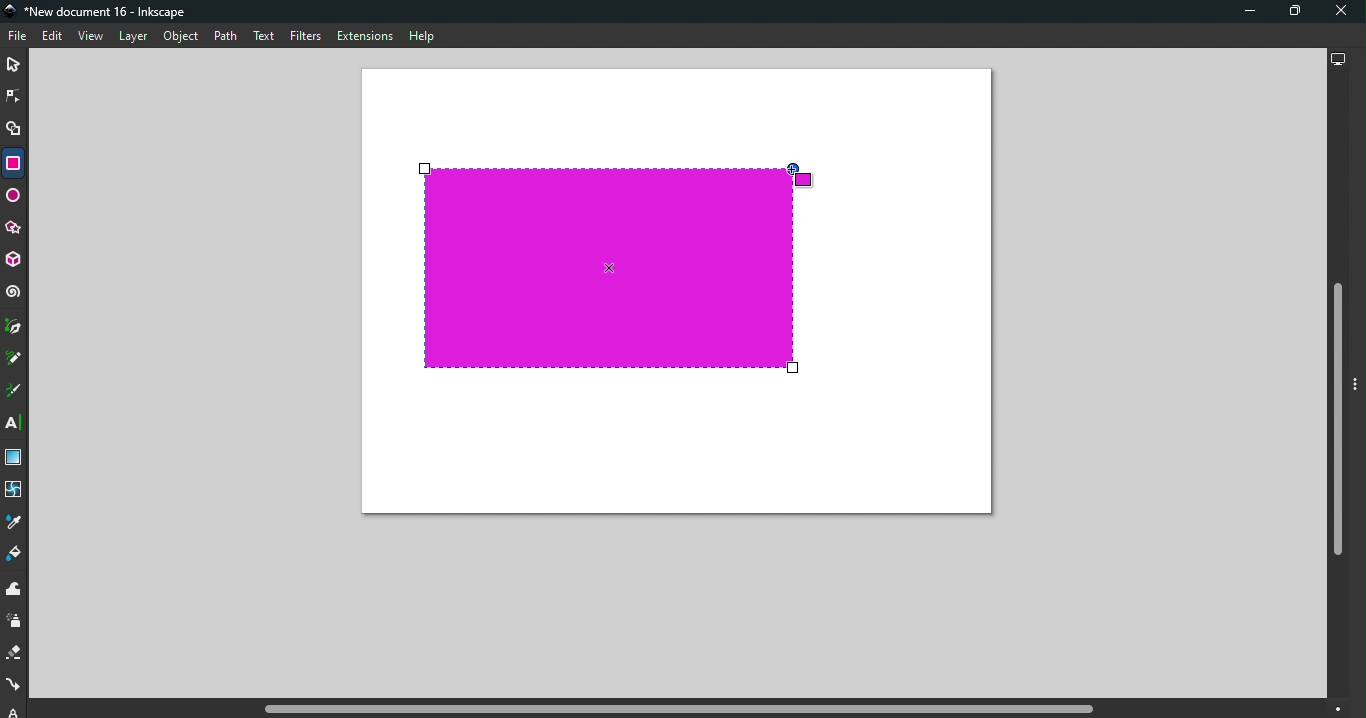  What do you see at coordinates (363, 35) in the screenshot?
I see `Extensions` at bounding box center [363, 35].